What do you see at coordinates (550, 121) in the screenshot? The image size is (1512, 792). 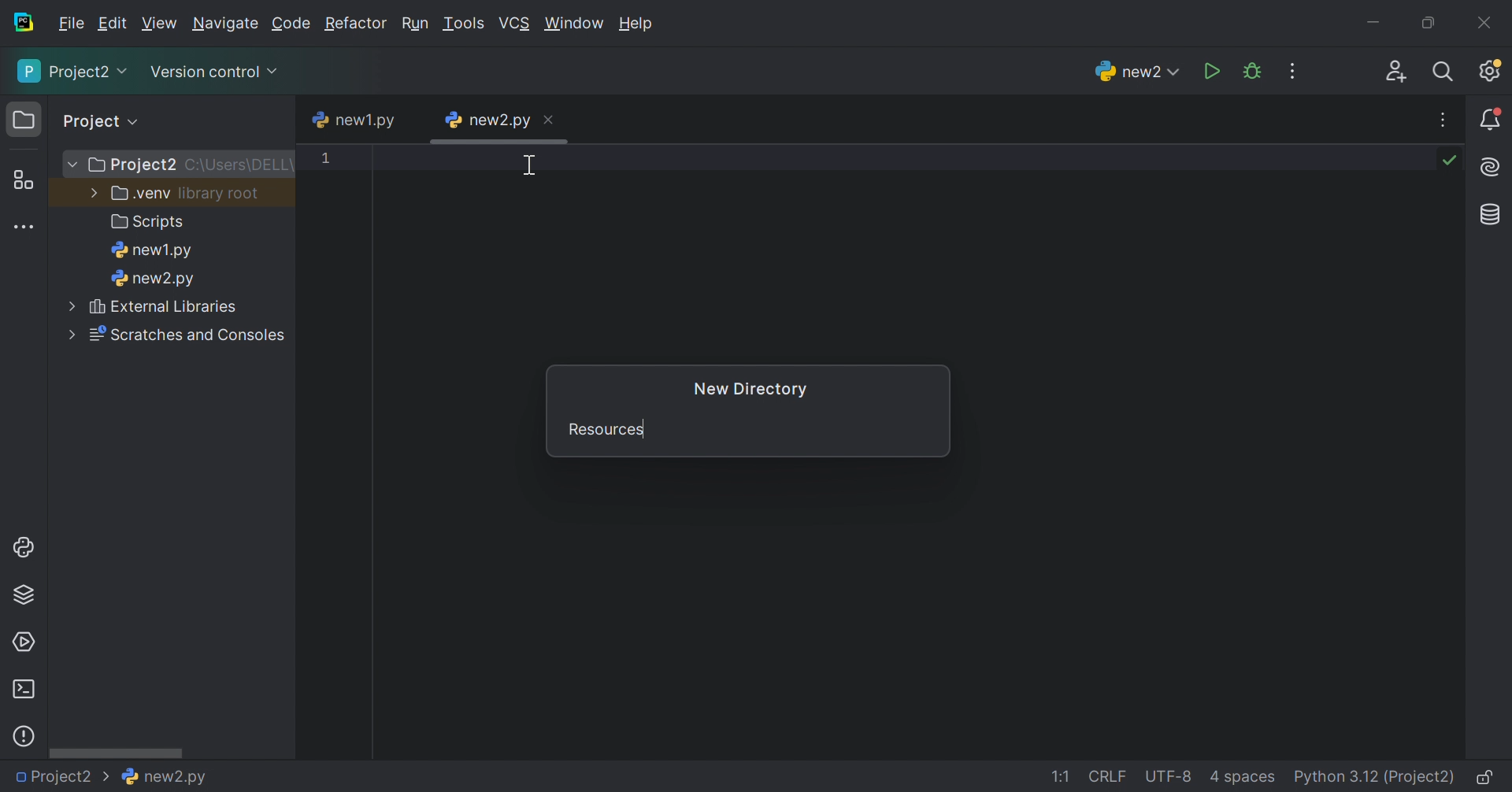 I see `Close` at bounding box center [550, 121].